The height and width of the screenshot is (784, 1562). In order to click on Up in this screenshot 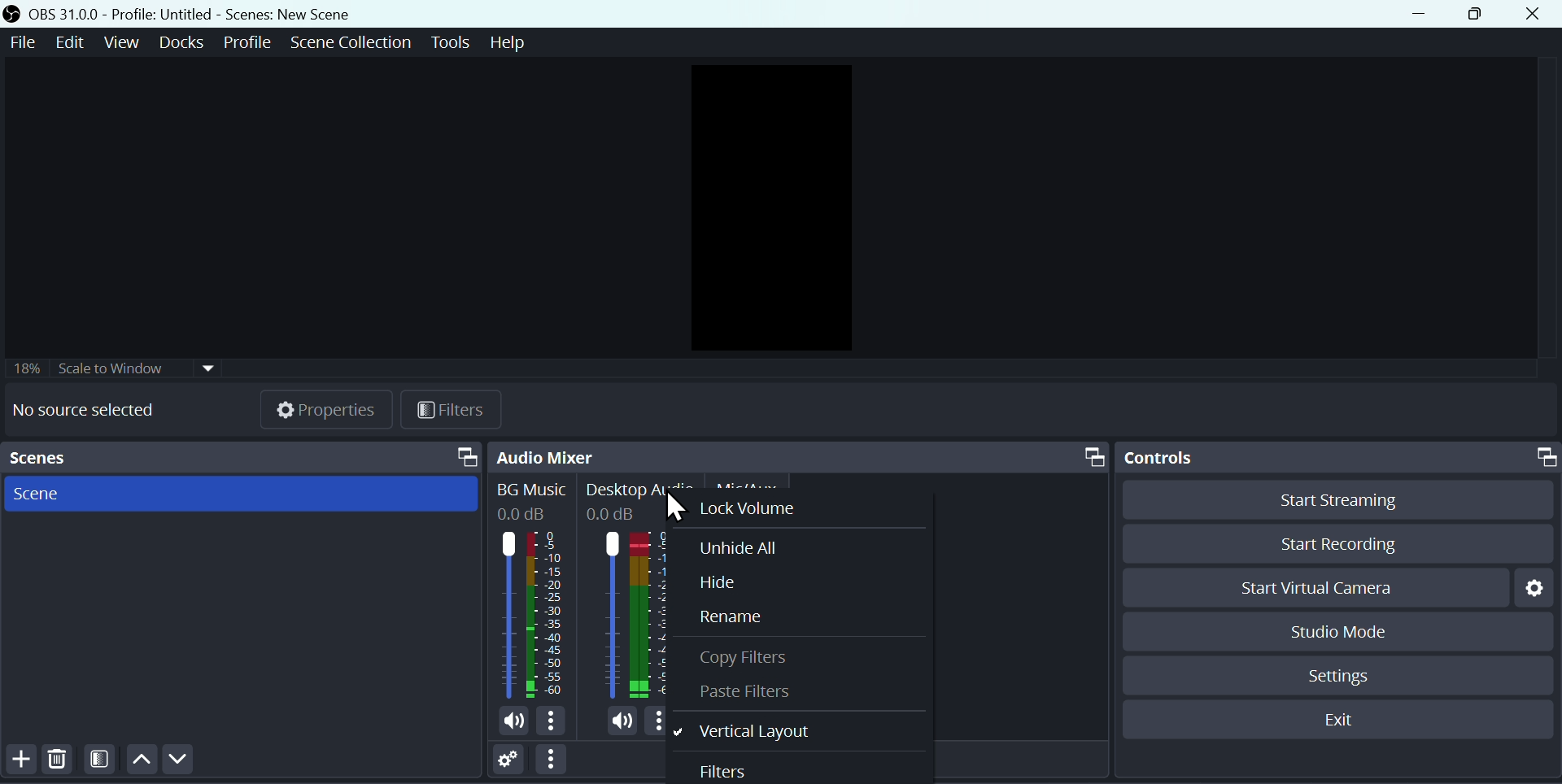, I will do `click(141, 761)`.